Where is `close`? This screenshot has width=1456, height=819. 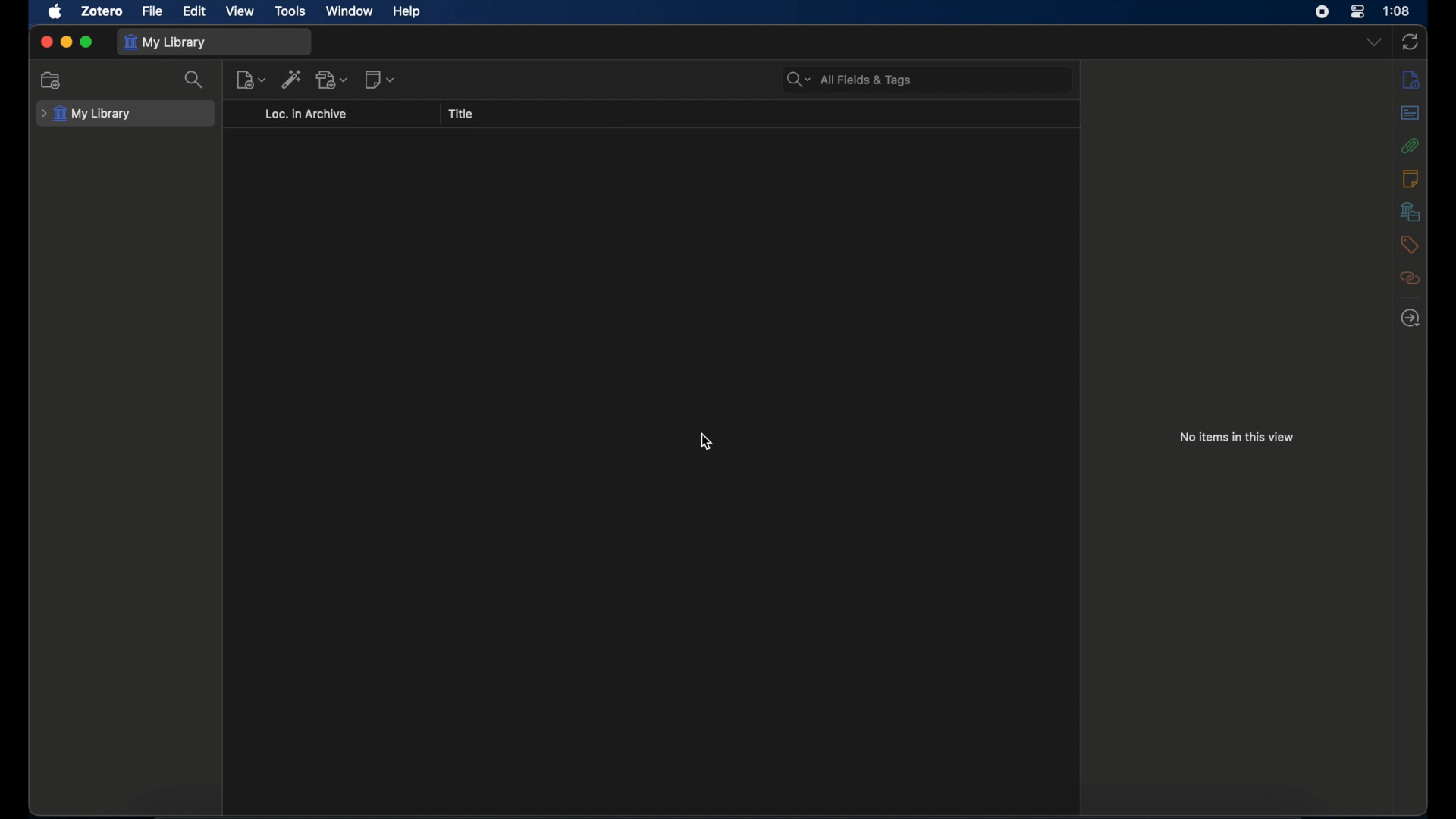
close is located at coordinates (45, 42).